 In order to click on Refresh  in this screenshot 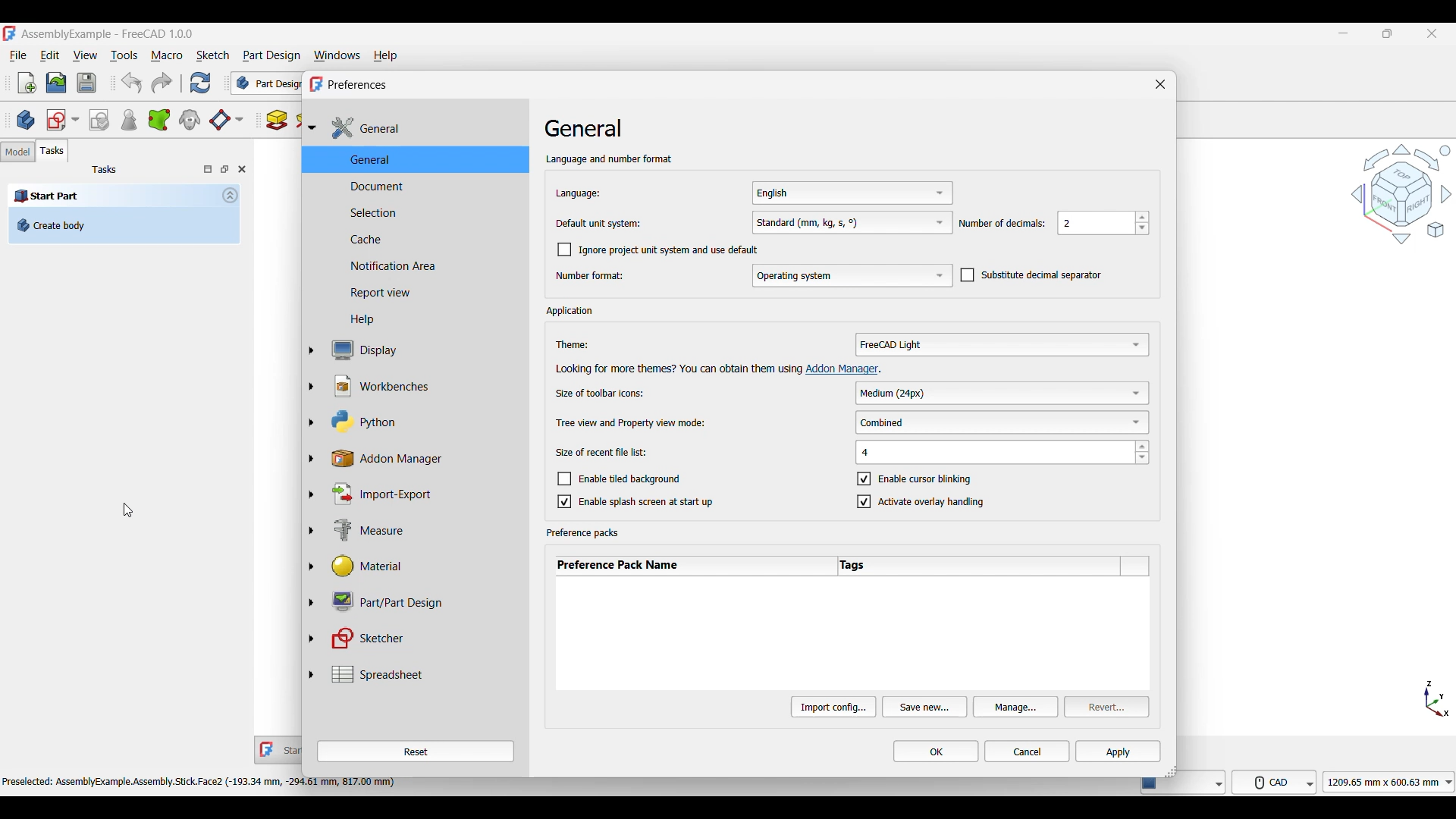, I will do `click(201, 83)`.